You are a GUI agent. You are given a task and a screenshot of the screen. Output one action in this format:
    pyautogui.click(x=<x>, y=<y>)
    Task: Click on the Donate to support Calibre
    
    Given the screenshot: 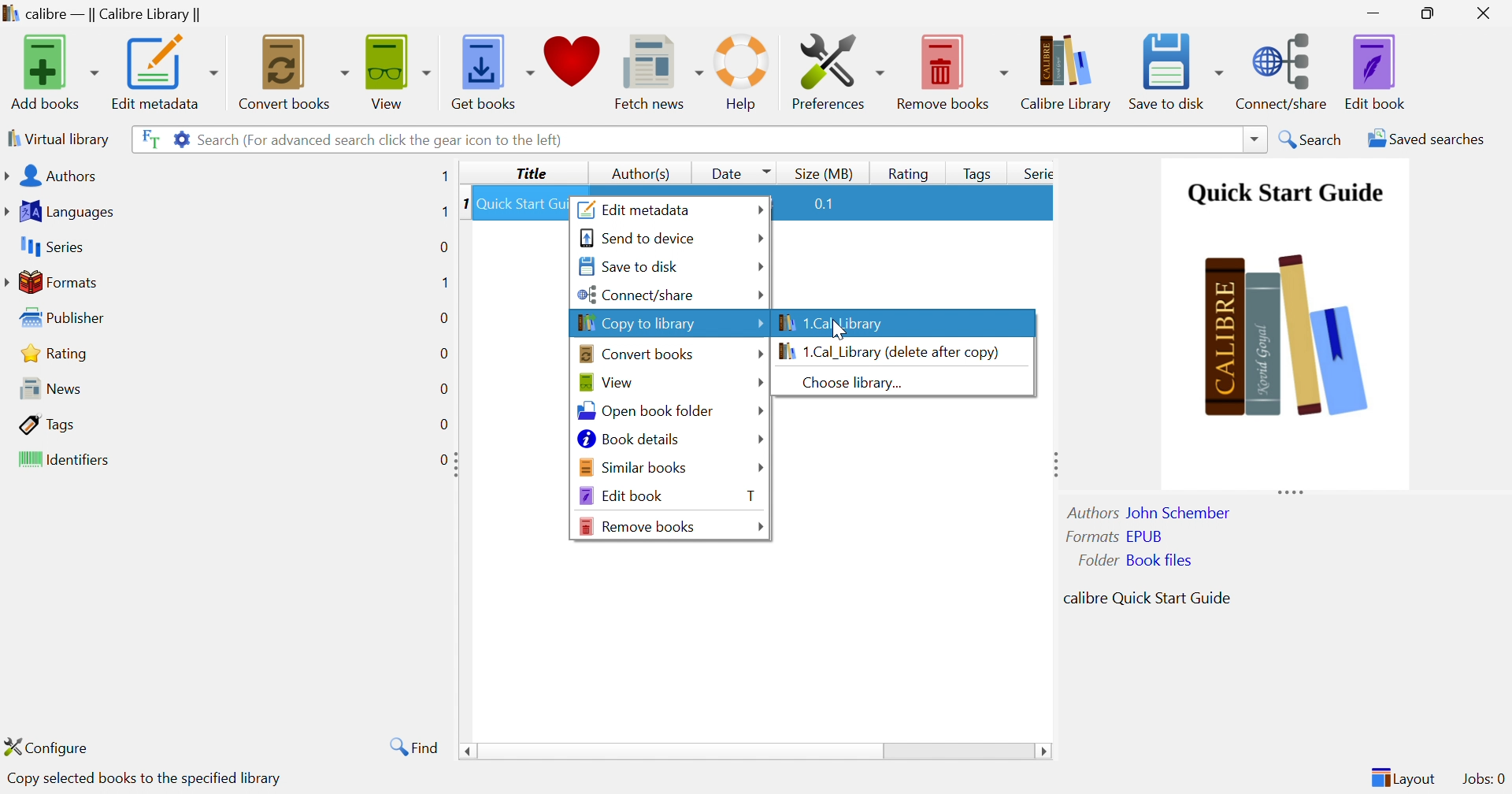 What is the action you would take?
    pyautogui.click(x=573, y=66)
    